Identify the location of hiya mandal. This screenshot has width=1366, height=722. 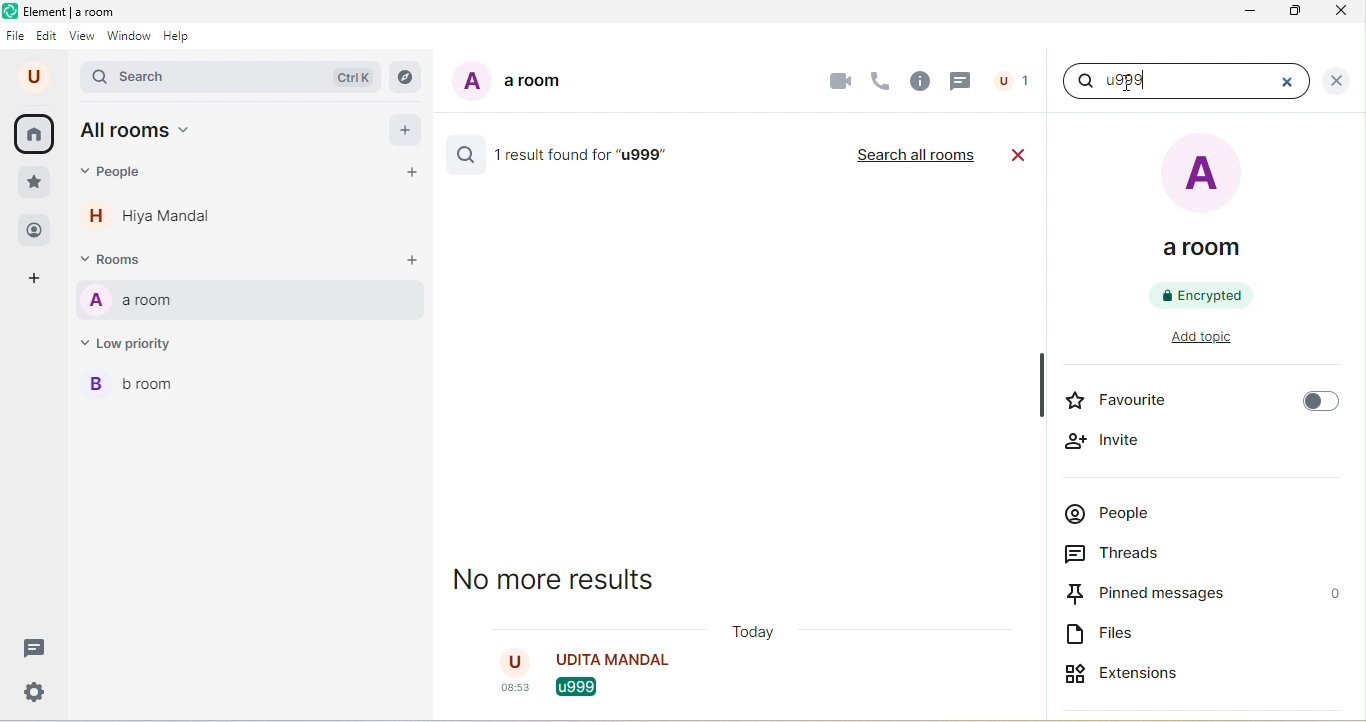
(157, 220).